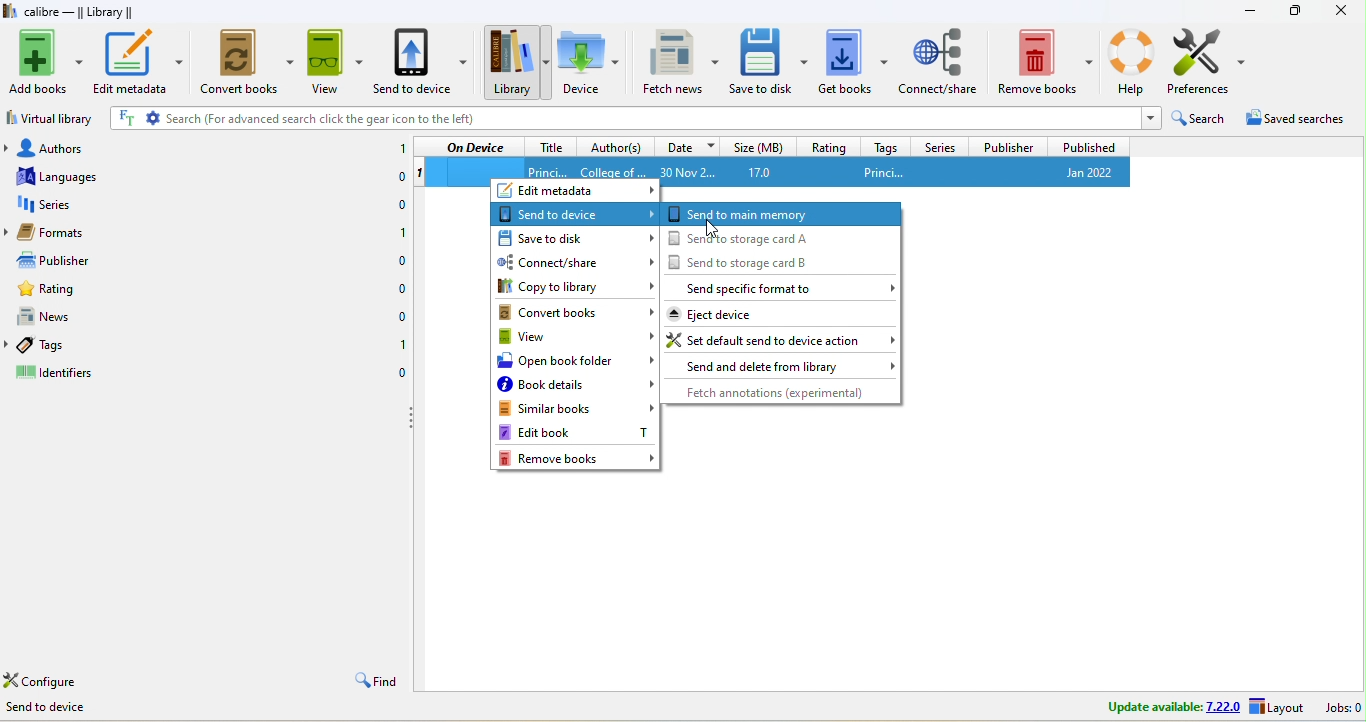  Describe the element at coordinates (60, 711) in the screenshot. I see `Send to device` at that location.